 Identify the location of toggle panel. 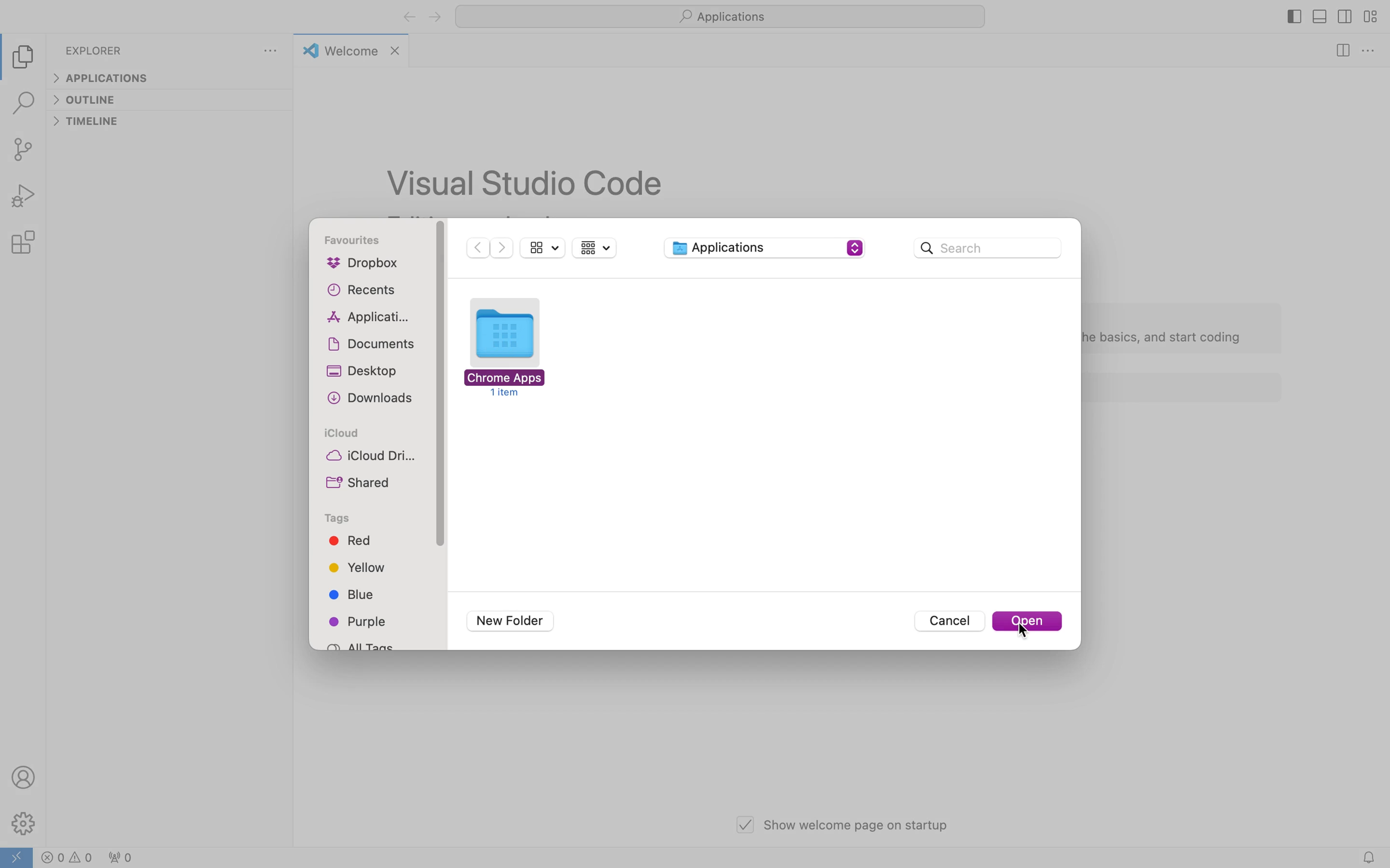
(1319, 17).